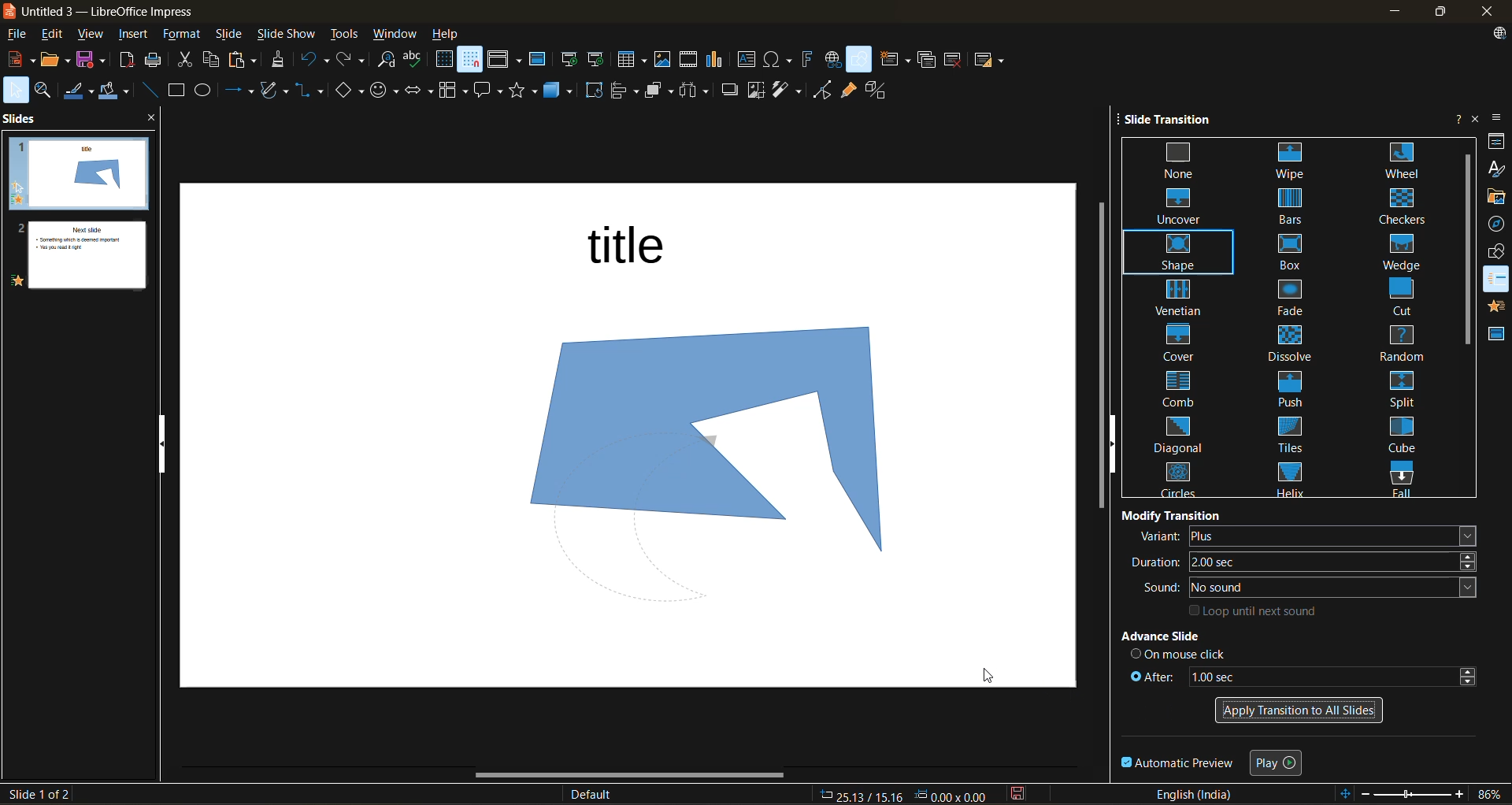 This screenshot has height=805, width=1512. What do you see at coordinates (598, 793) in the screenshot?
I see `slide master name` at bounding box center [598, 793].